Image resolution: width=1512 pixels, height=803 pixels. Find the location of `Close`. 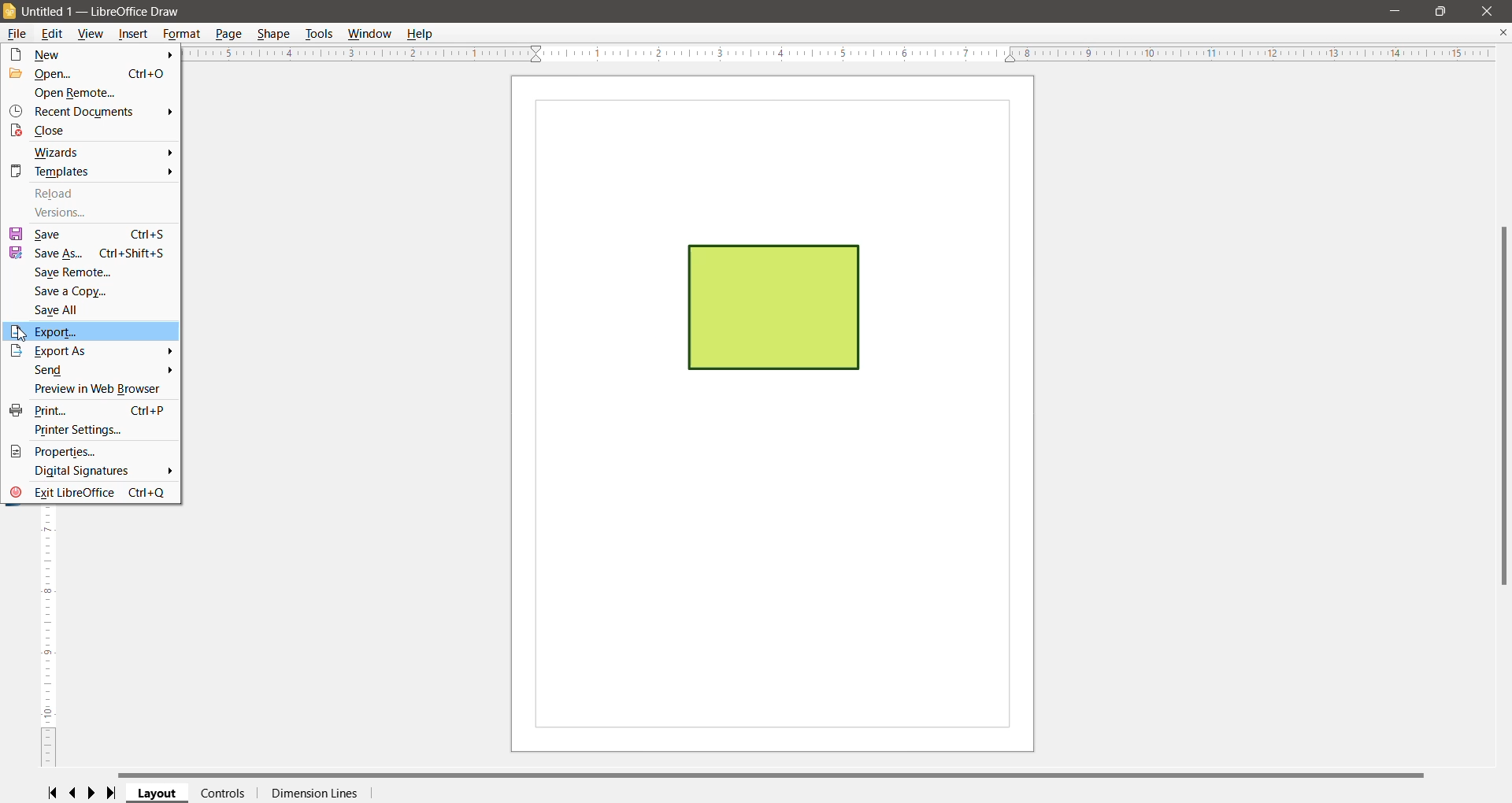

Close is located at coordinates (1489, 10).